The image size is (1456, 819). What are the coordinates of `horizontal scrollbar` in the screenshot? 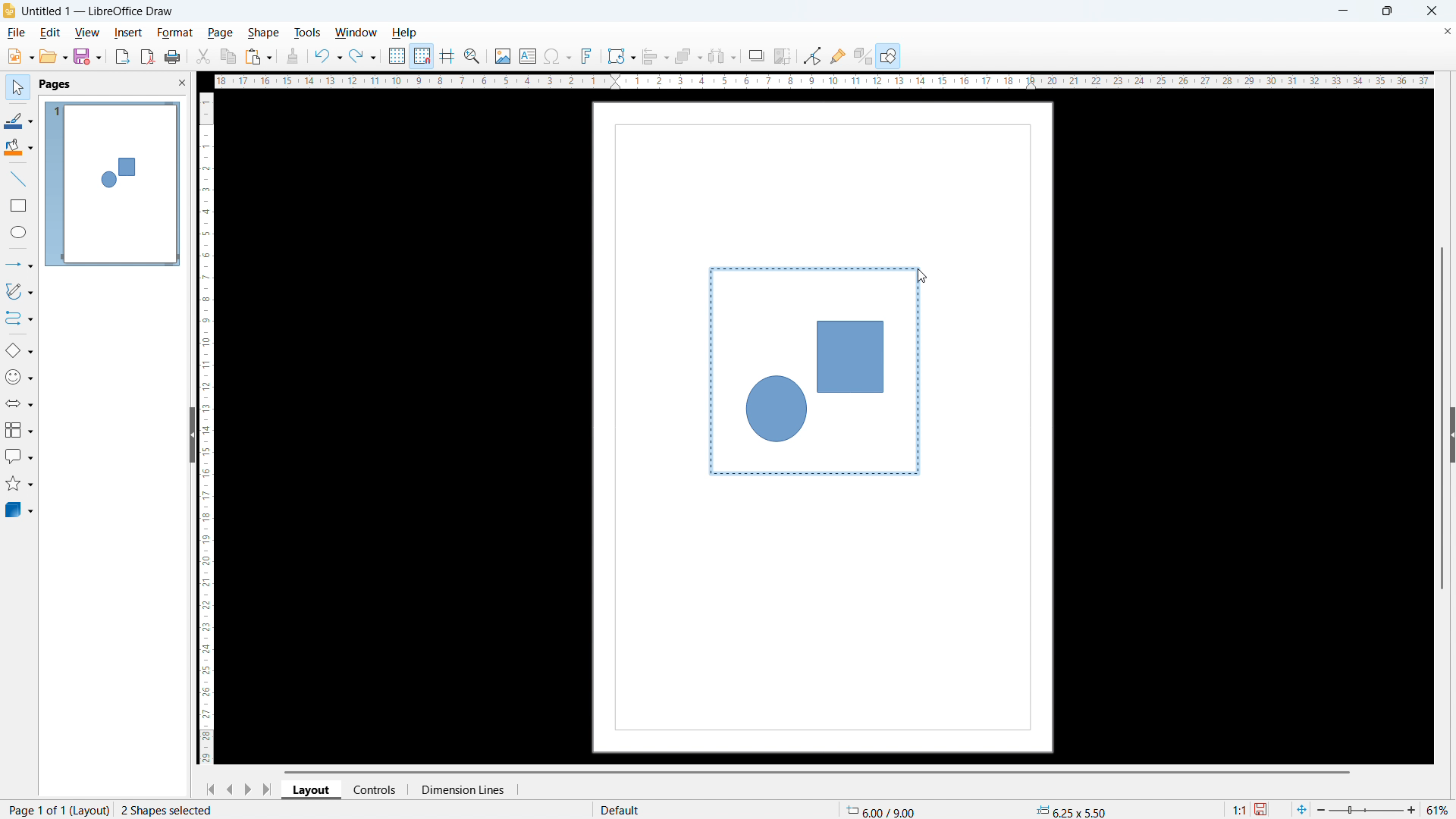 It's located at (813, 772).